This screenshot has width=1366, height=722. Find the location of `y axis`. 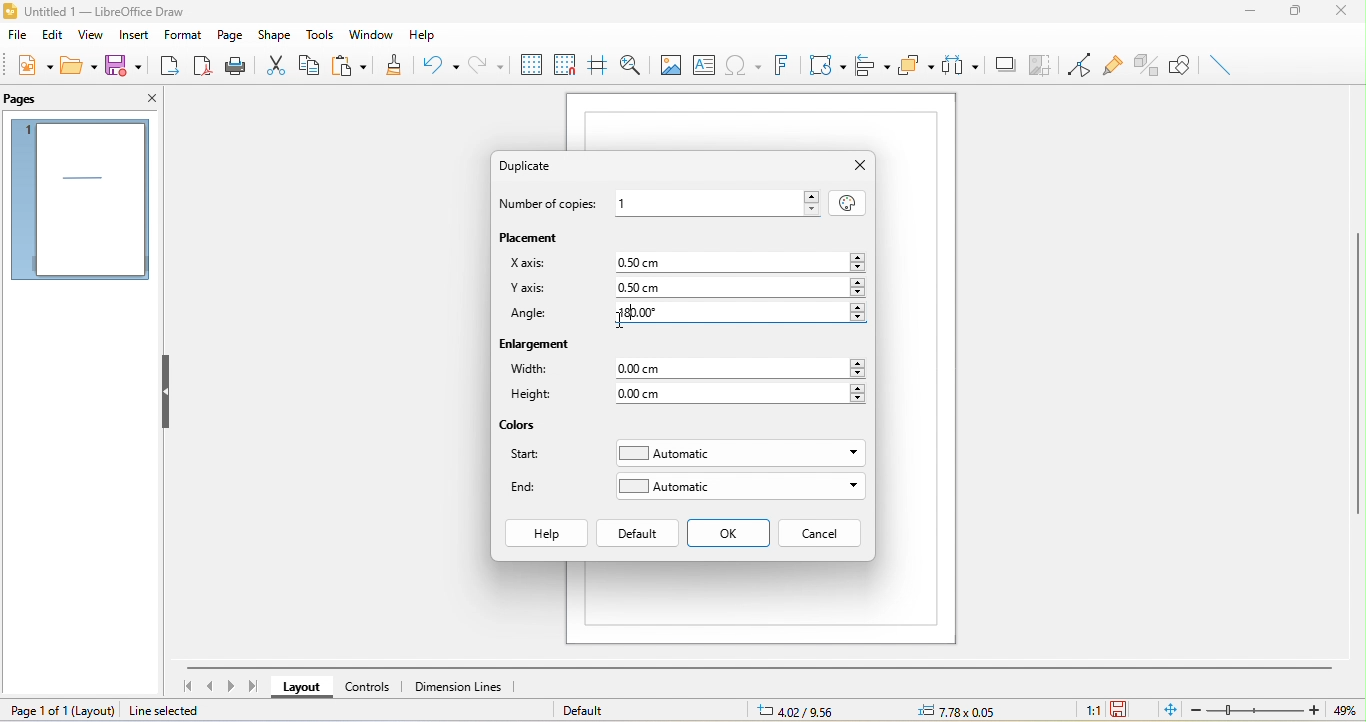

y axis is located at coordinates (528, 290).